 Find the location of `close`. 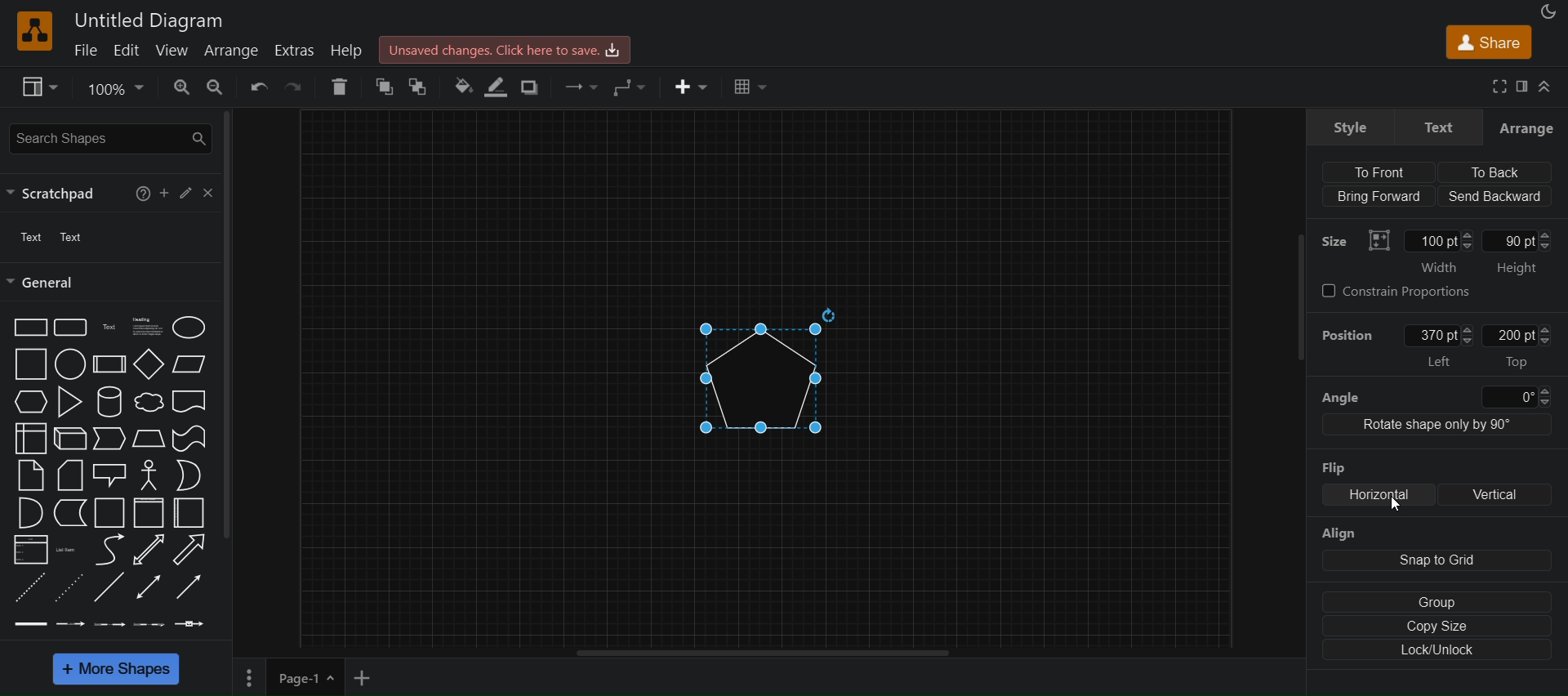

close is located at coordinates (207, 193).